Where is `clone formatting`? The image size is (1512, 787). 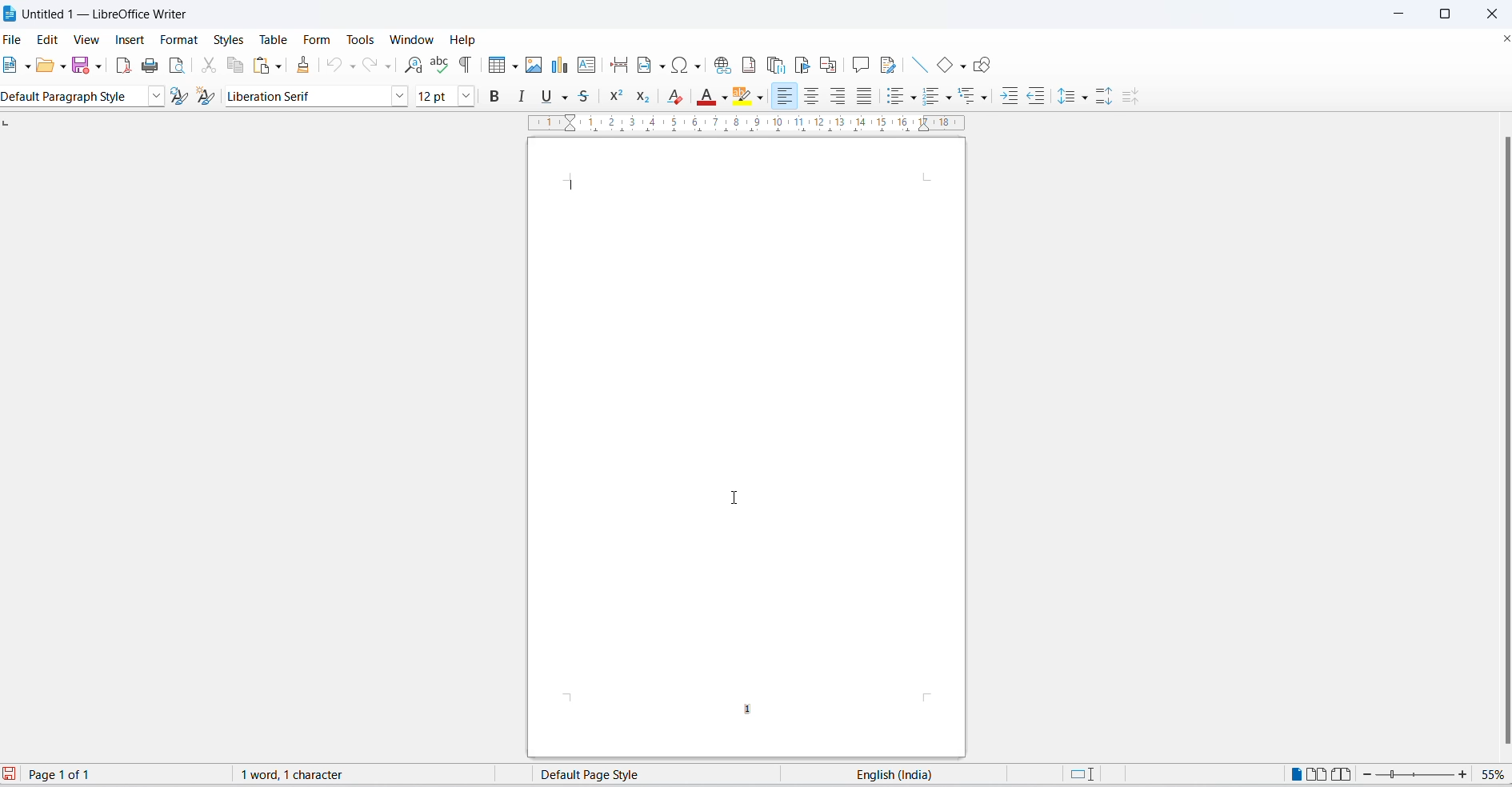 clone formatting is located at coordinates (305, 68).